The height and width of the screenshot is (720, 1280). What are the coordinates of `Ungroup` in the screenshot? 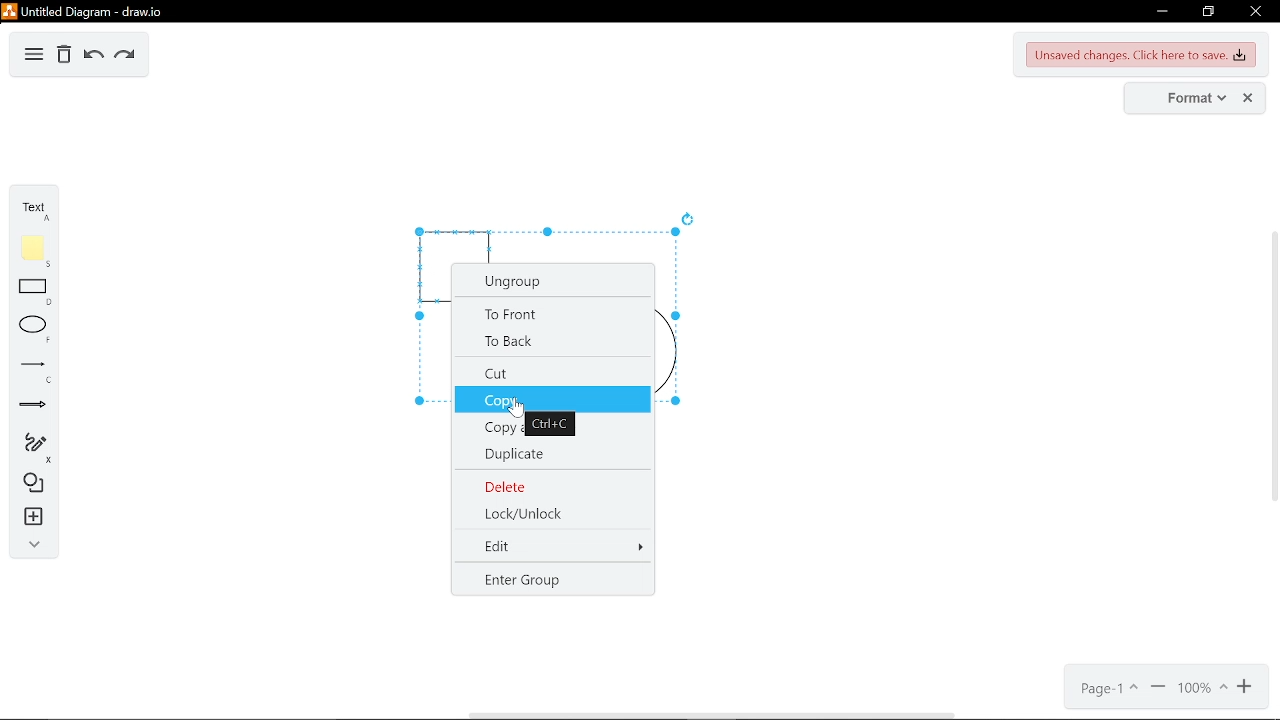 It's located at (558, 283).